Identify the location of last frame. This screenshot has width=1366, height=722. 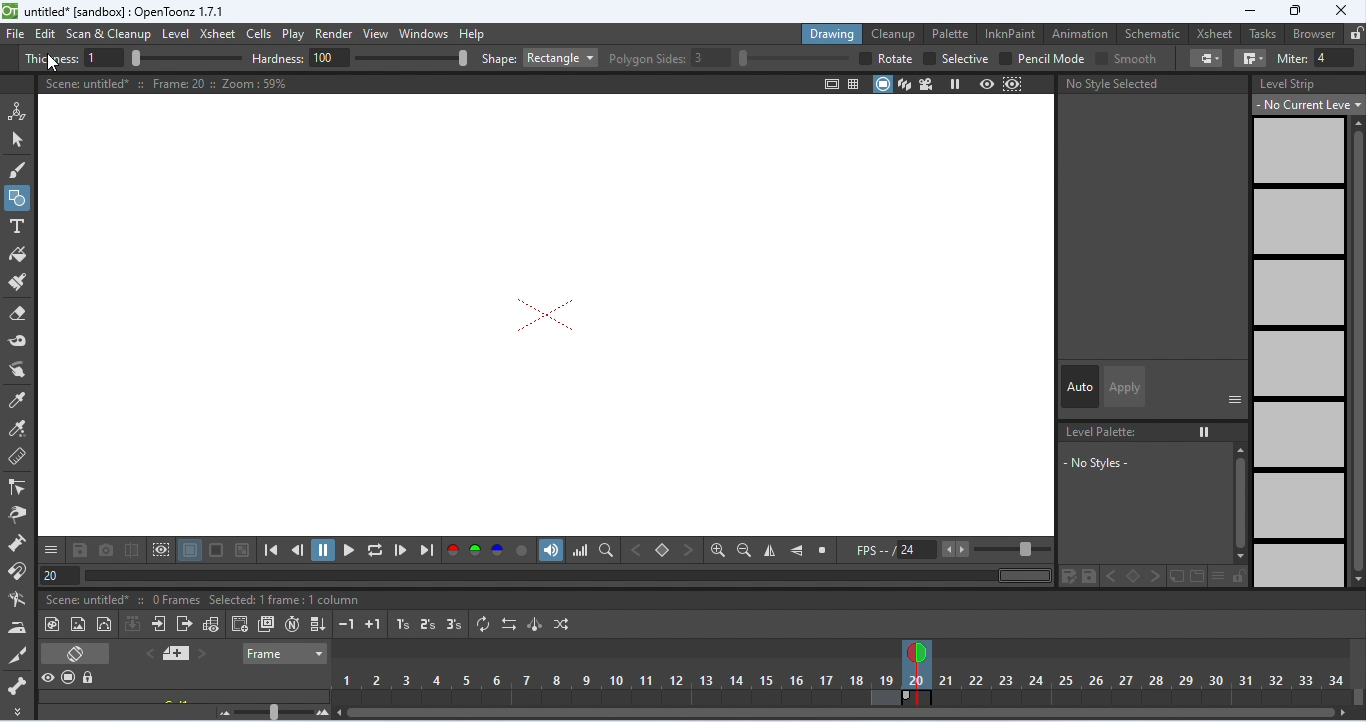
(427, 550).